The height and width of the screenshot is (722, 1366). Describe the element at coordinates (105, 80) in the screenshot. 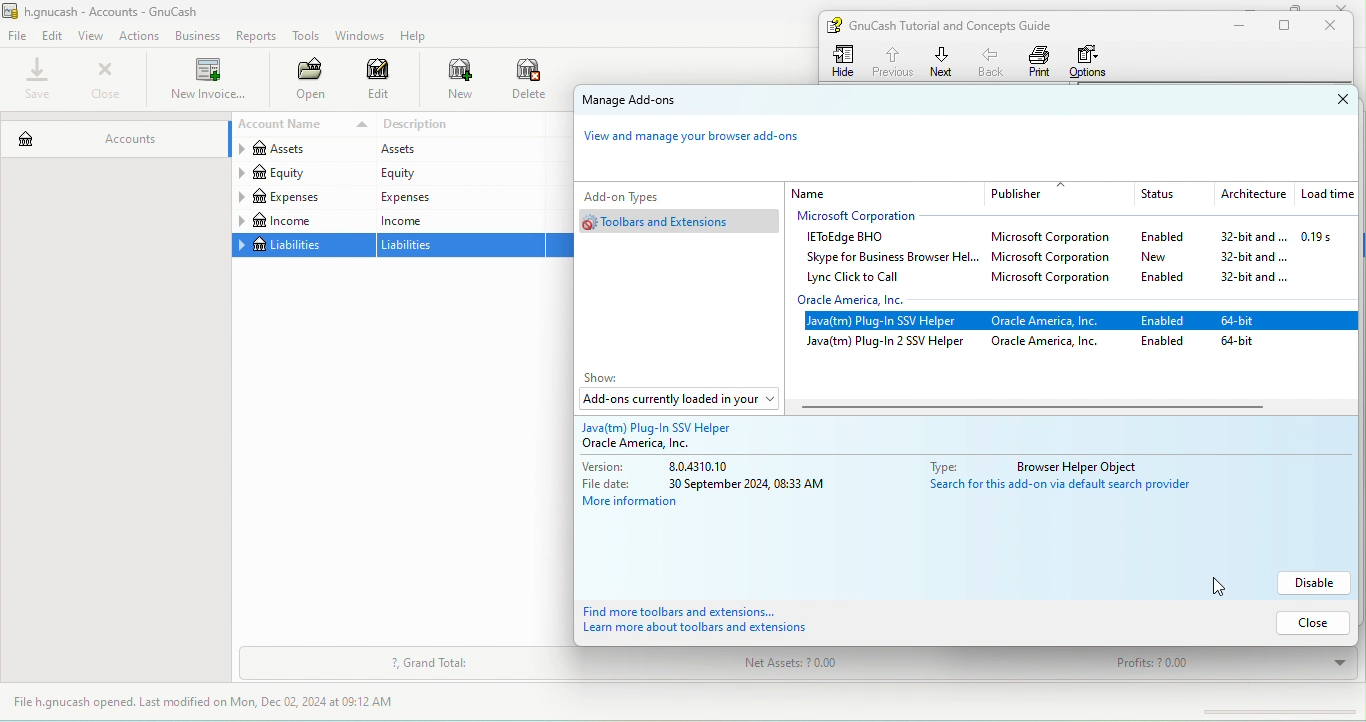

I see `close` at that location.